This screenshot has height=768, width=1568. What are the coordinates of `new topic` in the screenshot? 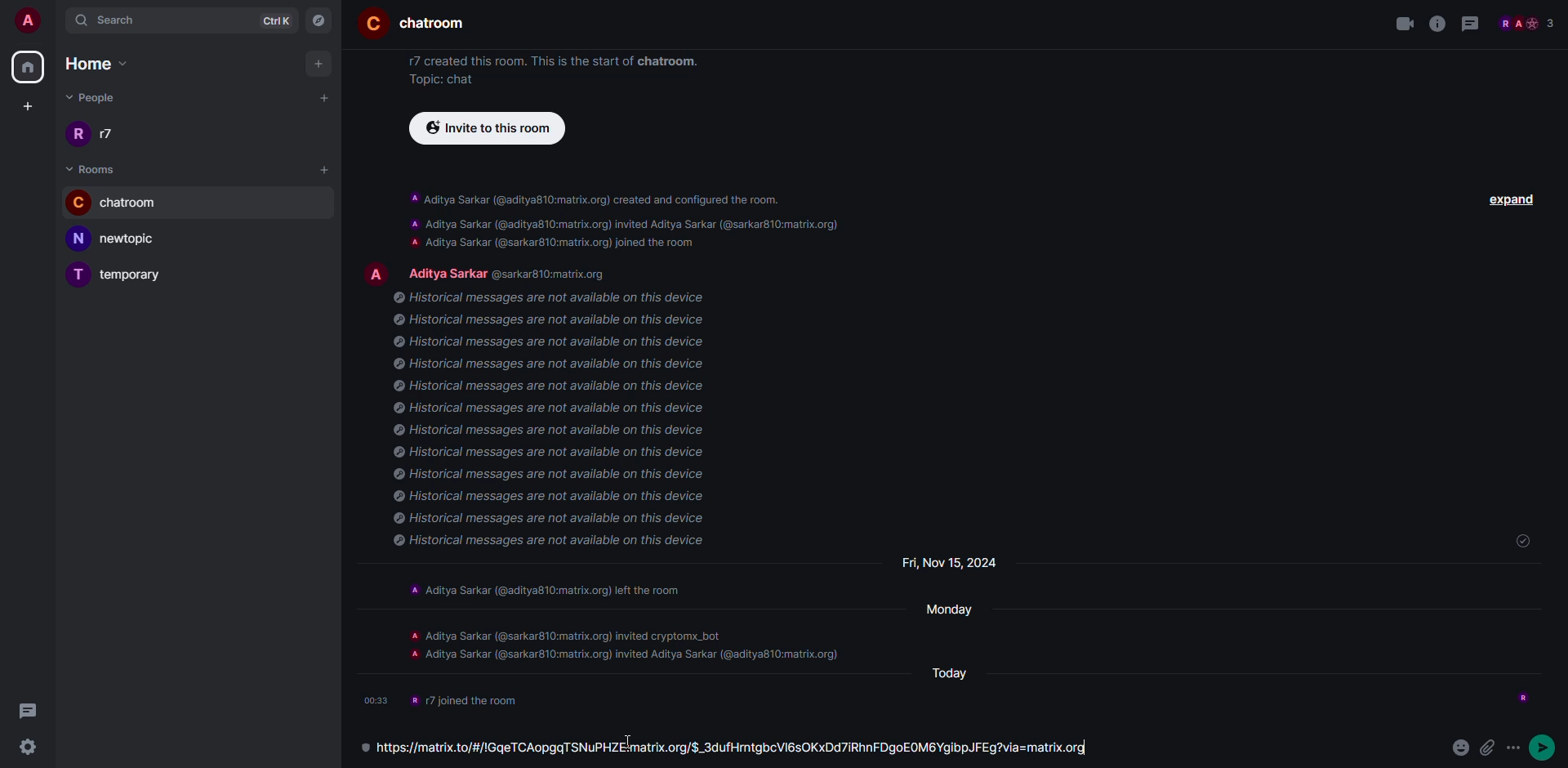 It's located at (121, 238).